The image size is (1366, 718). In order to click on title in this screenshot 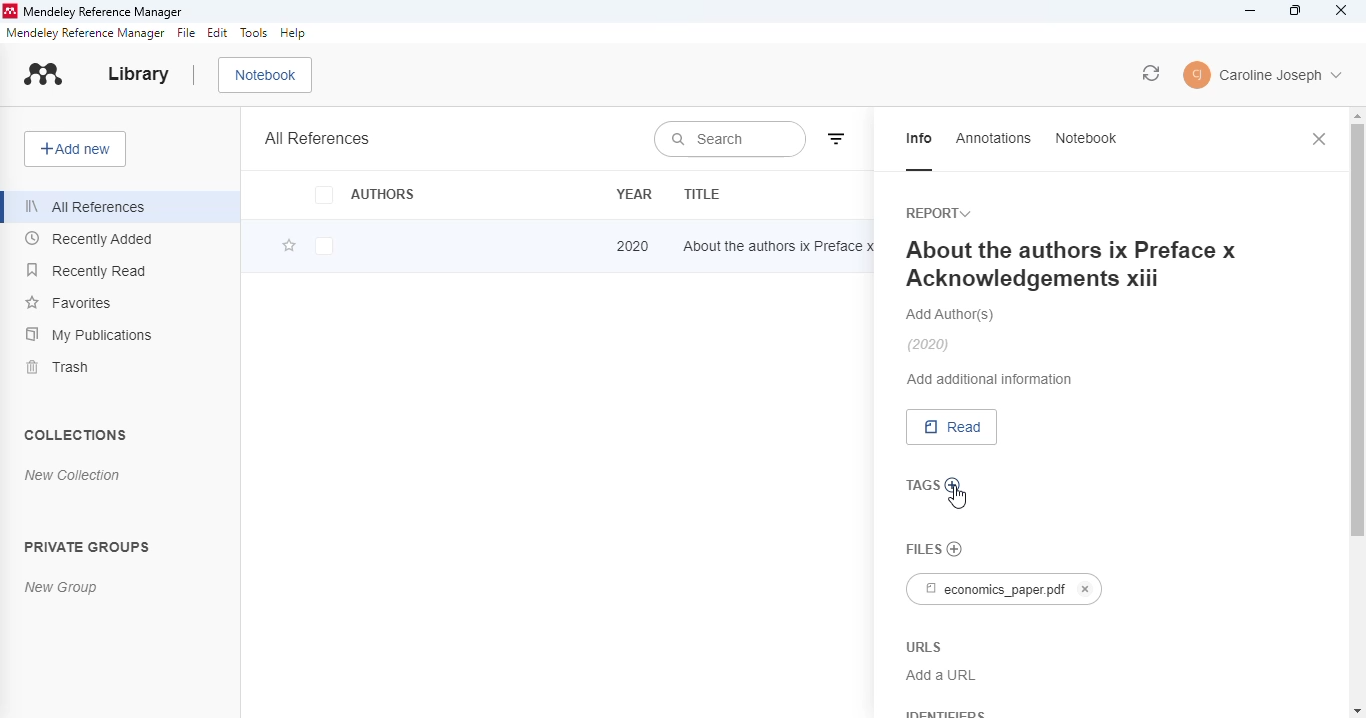, I will do `click(701, 194)`.